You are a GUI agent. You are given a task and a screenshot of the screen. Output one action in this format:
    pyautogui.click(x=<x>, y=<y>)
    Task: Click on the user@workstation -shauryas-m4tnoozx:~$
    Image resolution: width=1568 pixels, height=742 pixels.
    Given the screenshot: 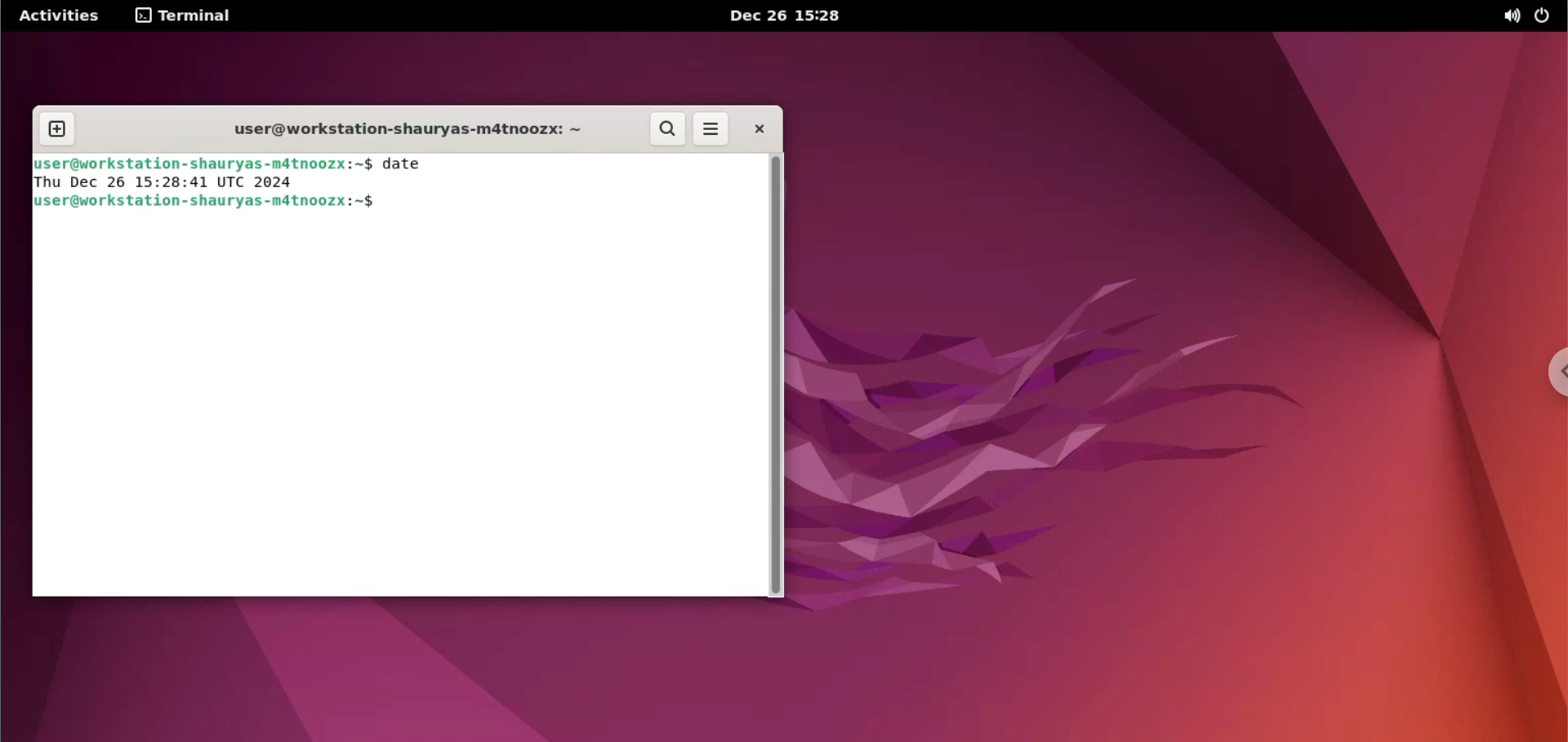 What is the action you would take?
    pyautogui.click(x=216, y=203)
    